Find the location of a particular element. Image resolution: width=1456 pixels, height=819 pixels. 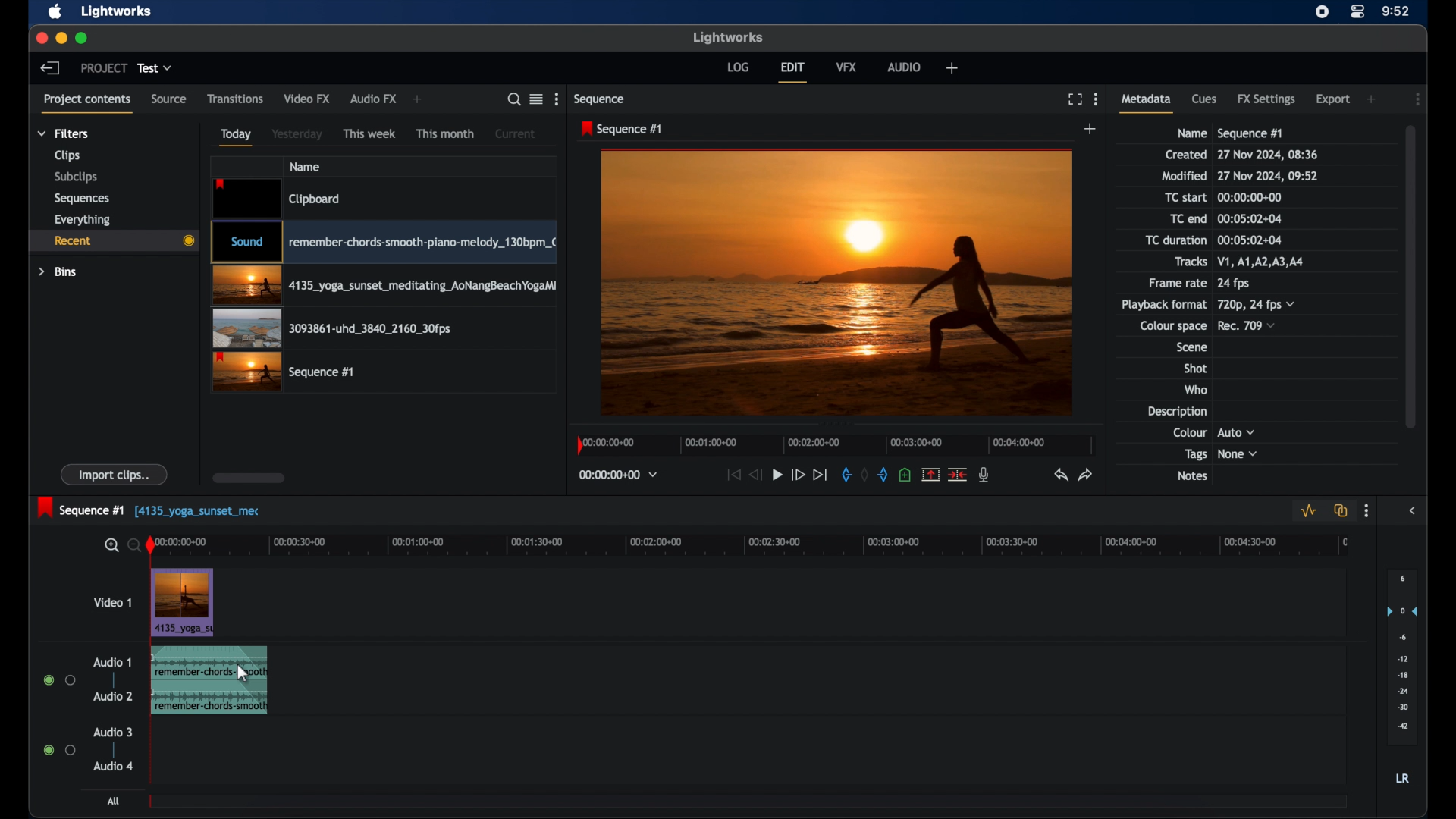

video clip is located at coordinates (183, 602).